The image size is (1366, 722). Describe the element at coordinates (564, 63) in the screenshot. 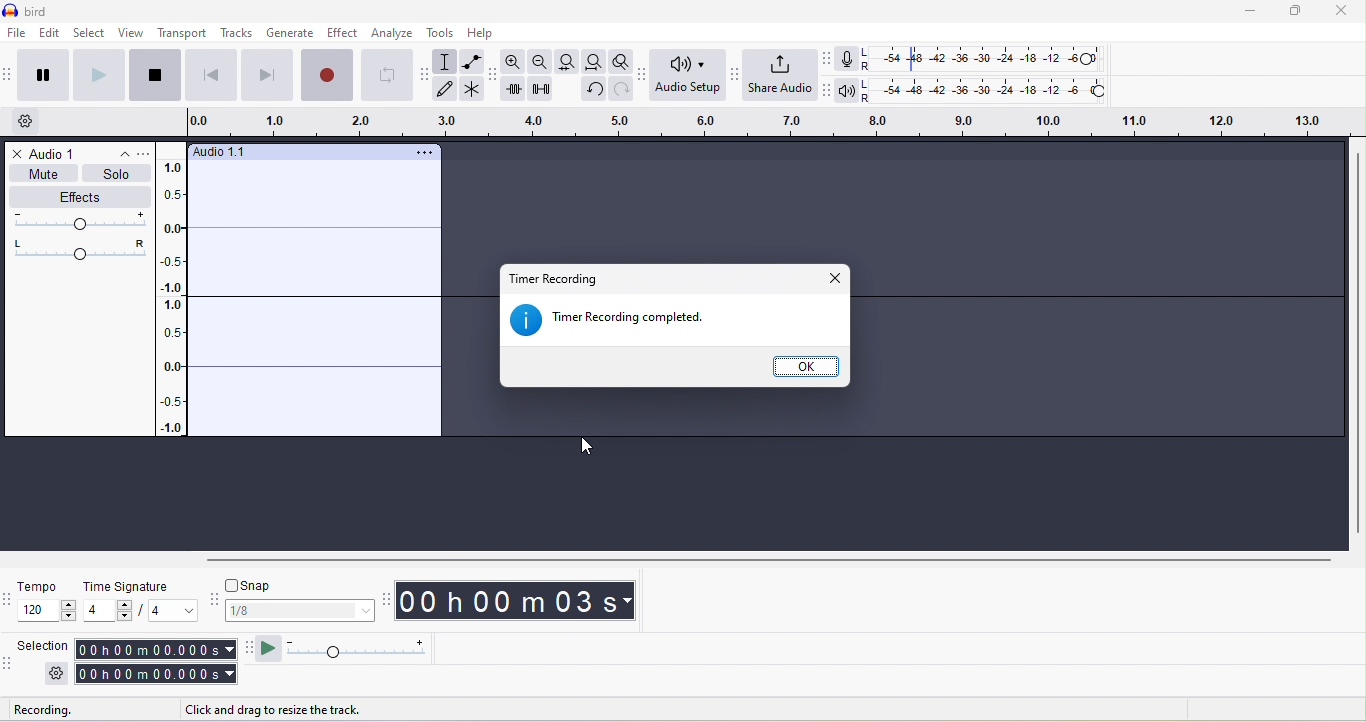

I see `fit selection to width` at that location.